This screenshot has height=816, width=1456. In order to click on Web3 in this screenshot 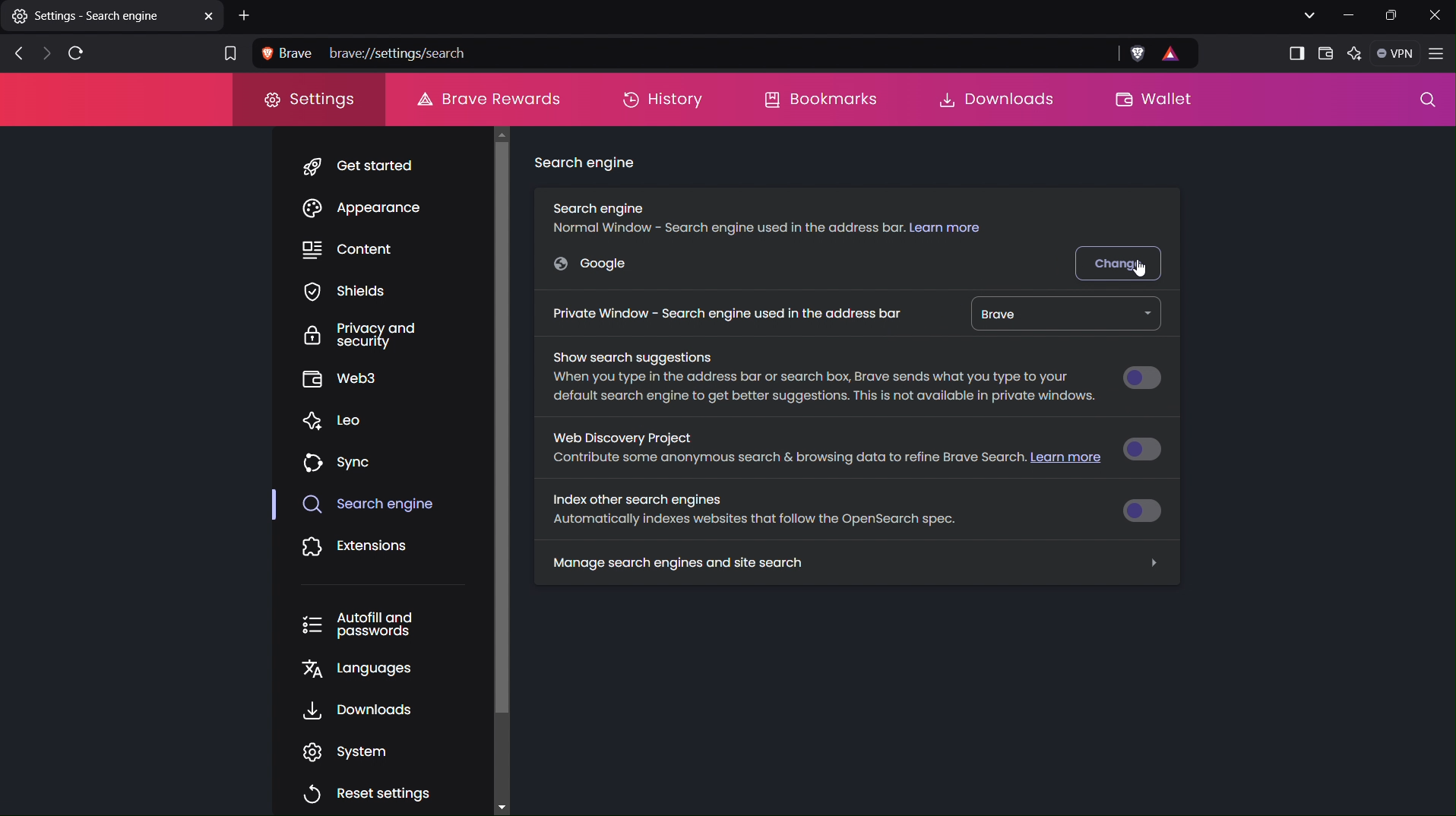, I will do `click(342, 378)`.